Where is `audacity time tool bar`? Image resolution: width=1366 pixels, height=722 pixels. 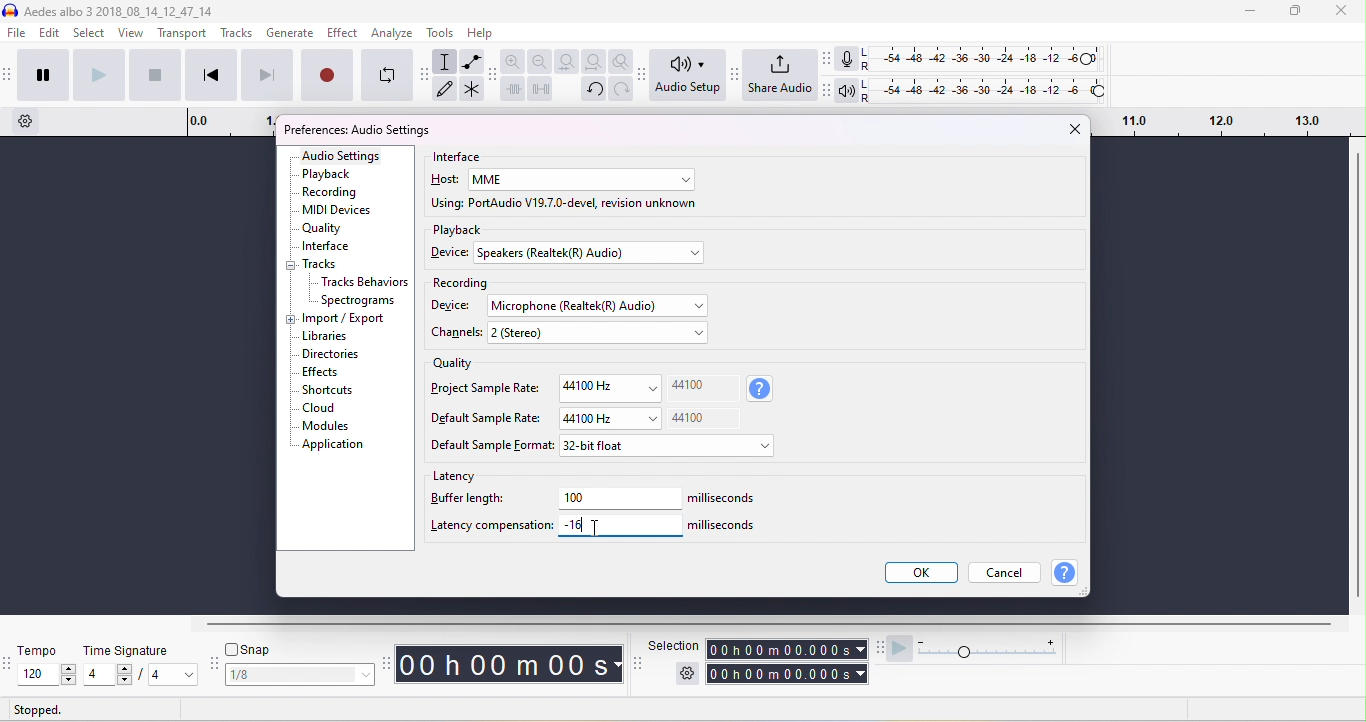 audacity time tool bar is located at coordinates (389, 662).